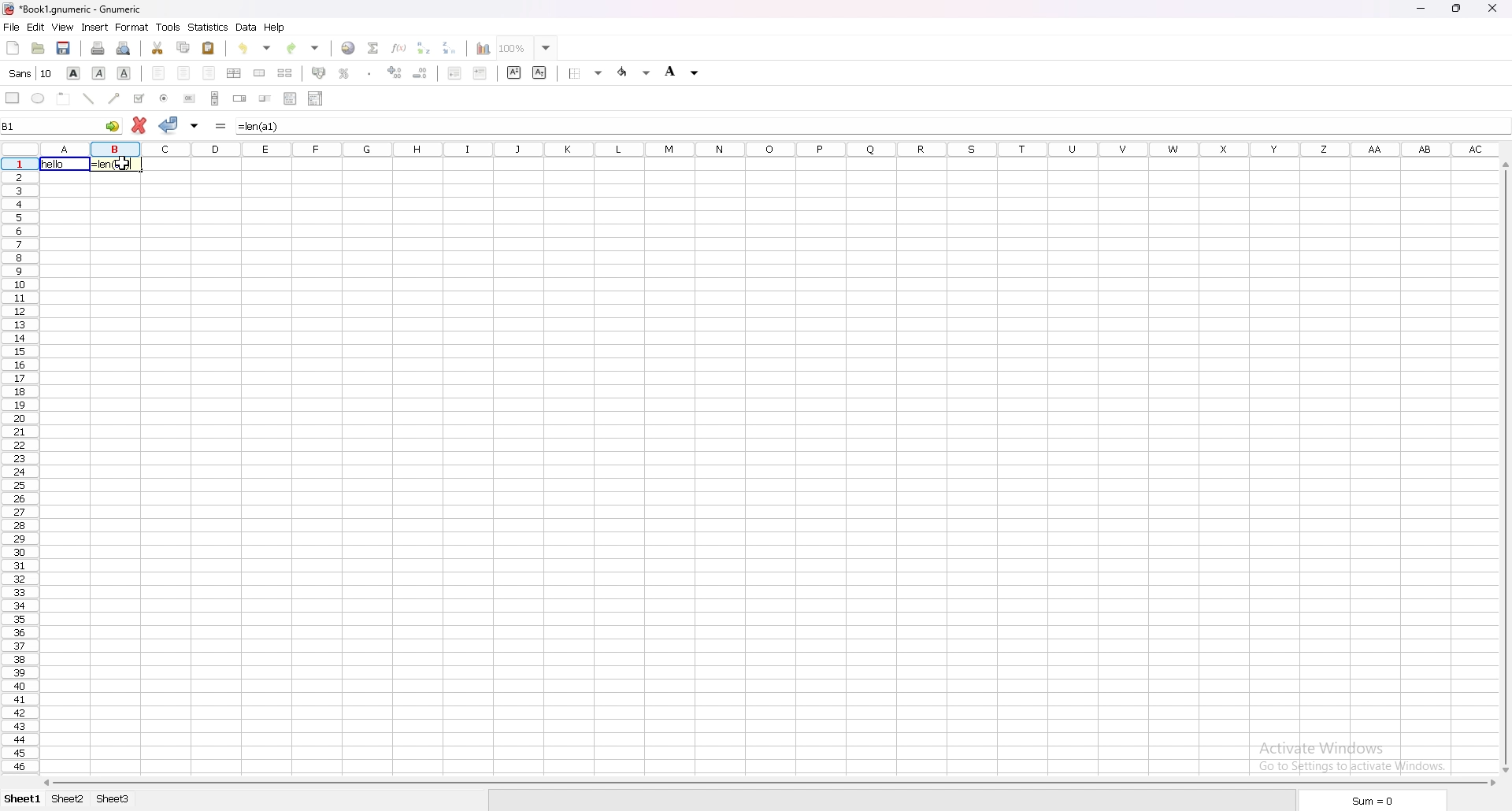 Image resolution: width=1512 pixels, height=811 pixels. What do you see at coordinates (346, 72) in the screenshot?
I see `percentage` at bounding box center [346, 72].